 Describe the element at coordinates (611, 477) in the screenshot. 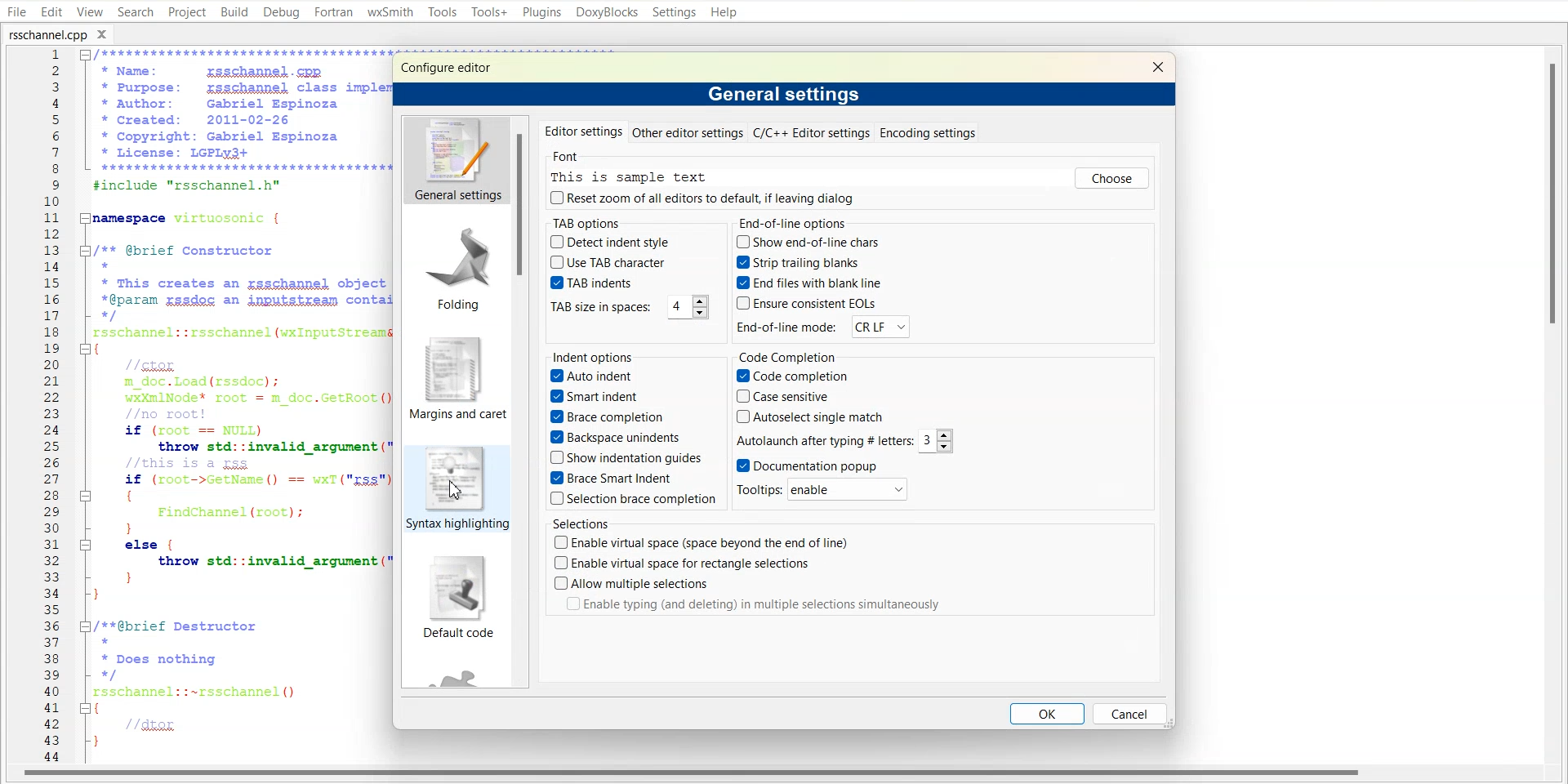

I see `Brace smart indent` at that location.